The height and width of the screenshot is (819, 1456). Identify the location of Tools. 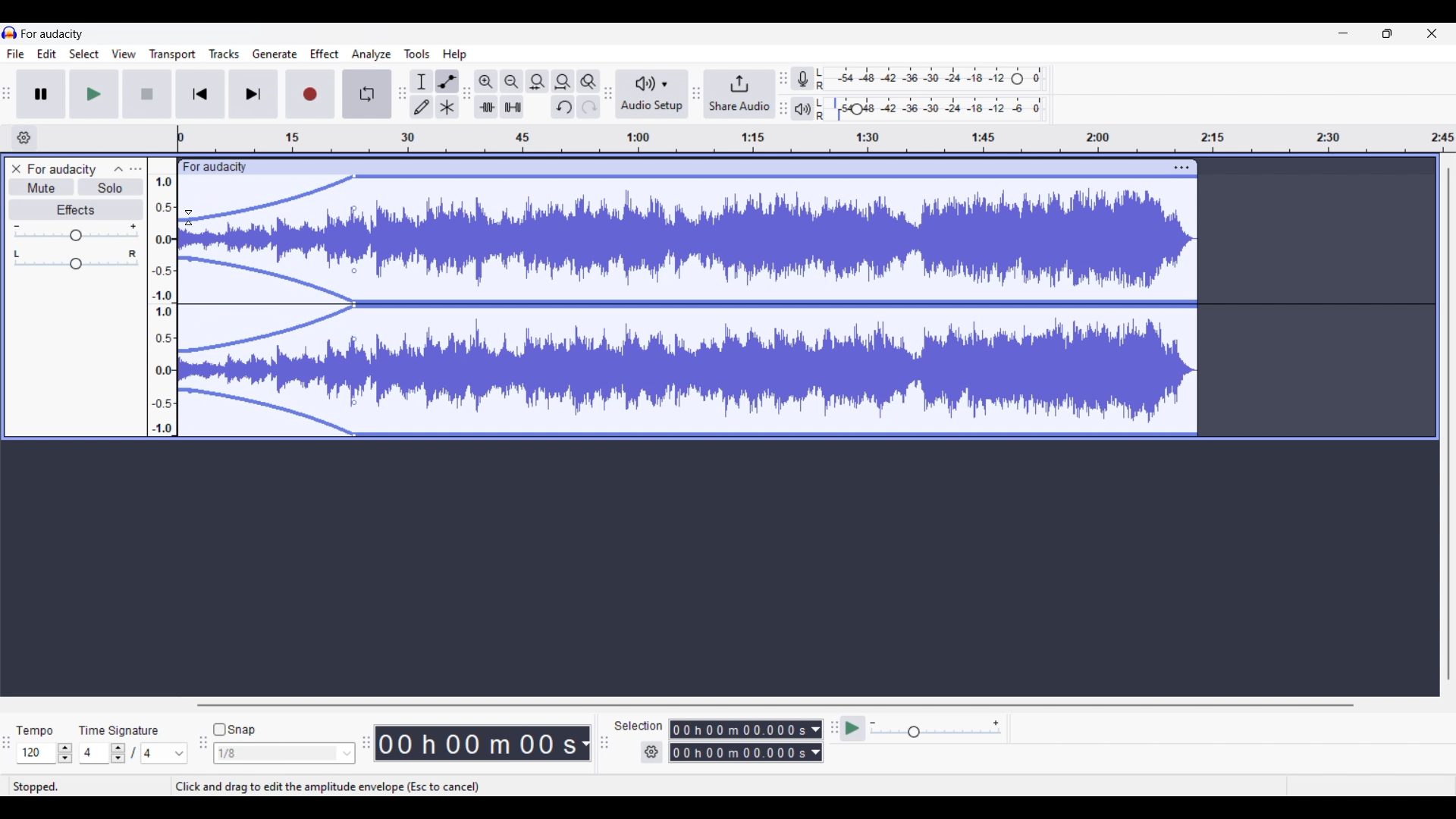
(416, 54).